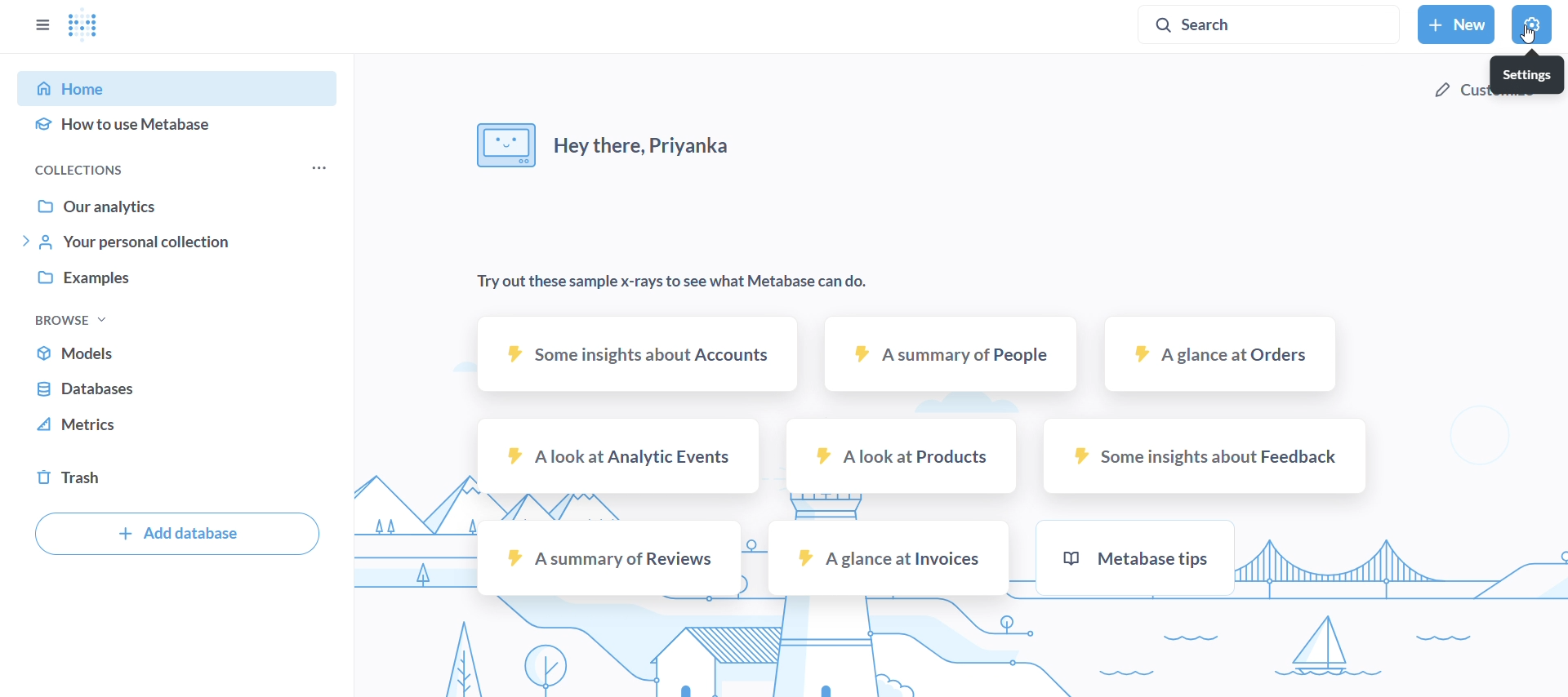 This screenshot has width=1568, height=697. Describe the element at coordinates (1222, 360) in the screenshot. I see `a glance at orders` at that location.